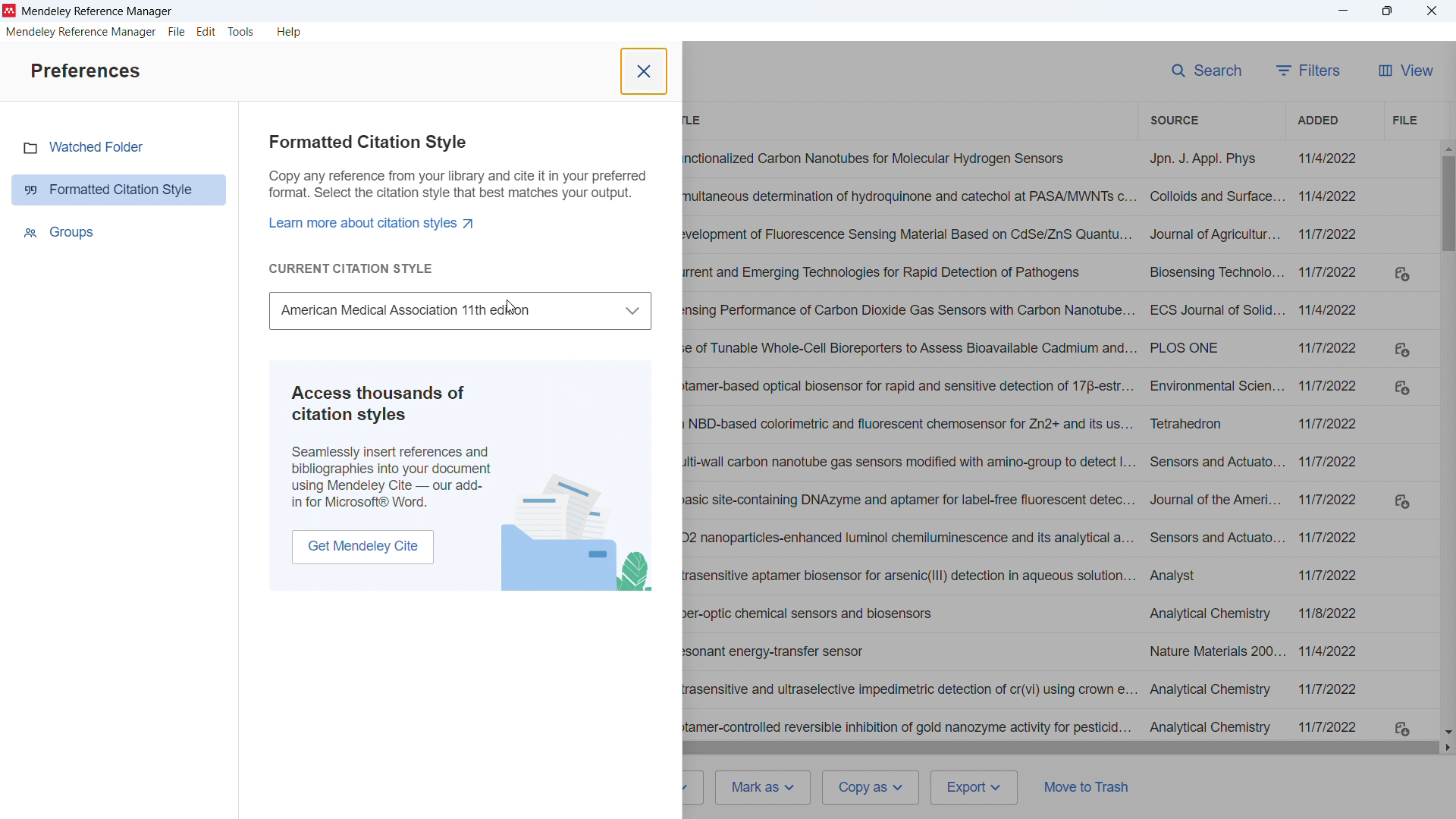 Image resolution: width=1456 pixels, height=819 pixels. I want to click on Move to trash , so click(1091, 786).